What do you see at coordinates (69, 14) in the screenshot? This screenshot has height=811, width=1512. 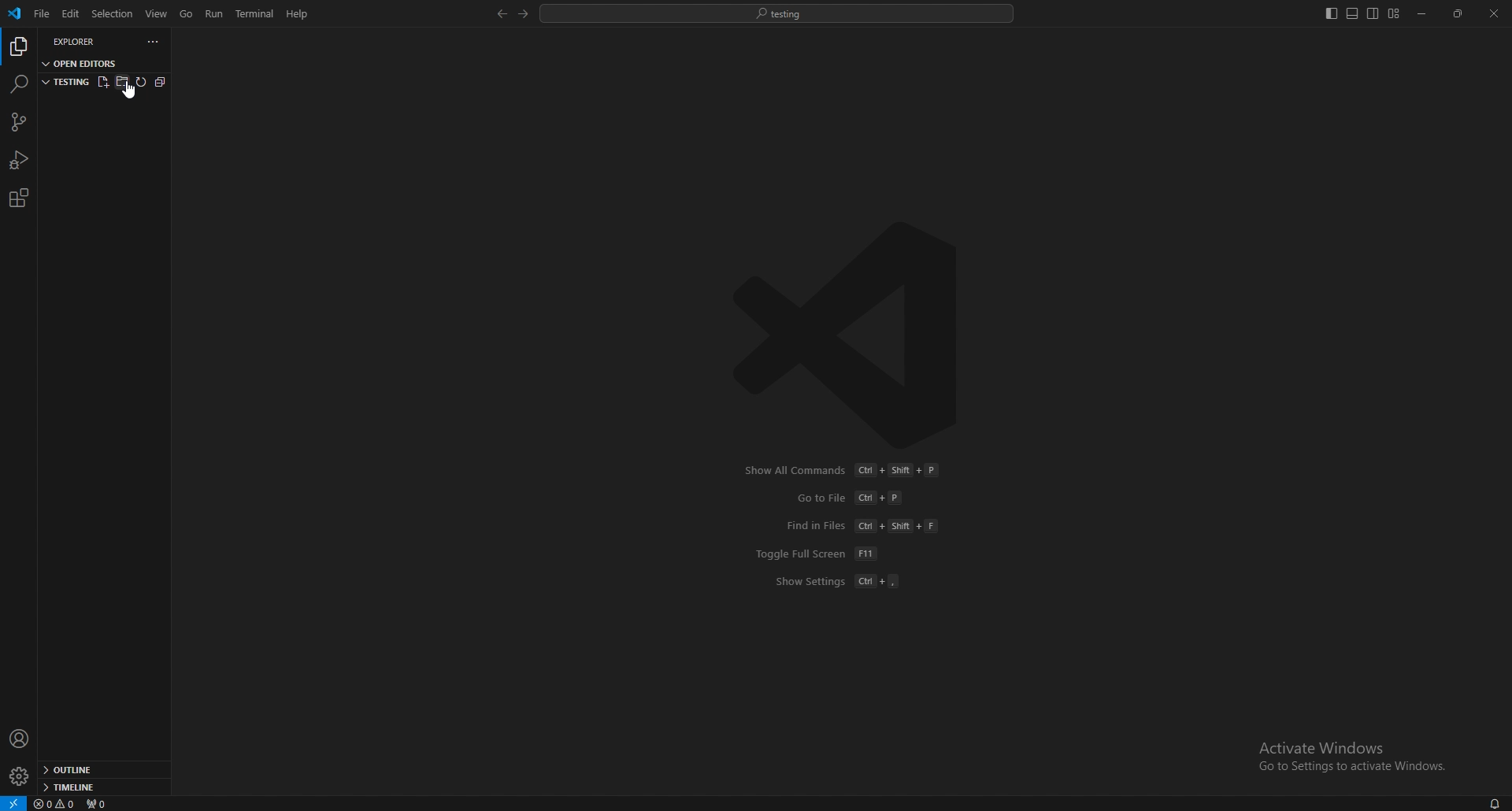 I see `edit` at bounding box center [69, 14].